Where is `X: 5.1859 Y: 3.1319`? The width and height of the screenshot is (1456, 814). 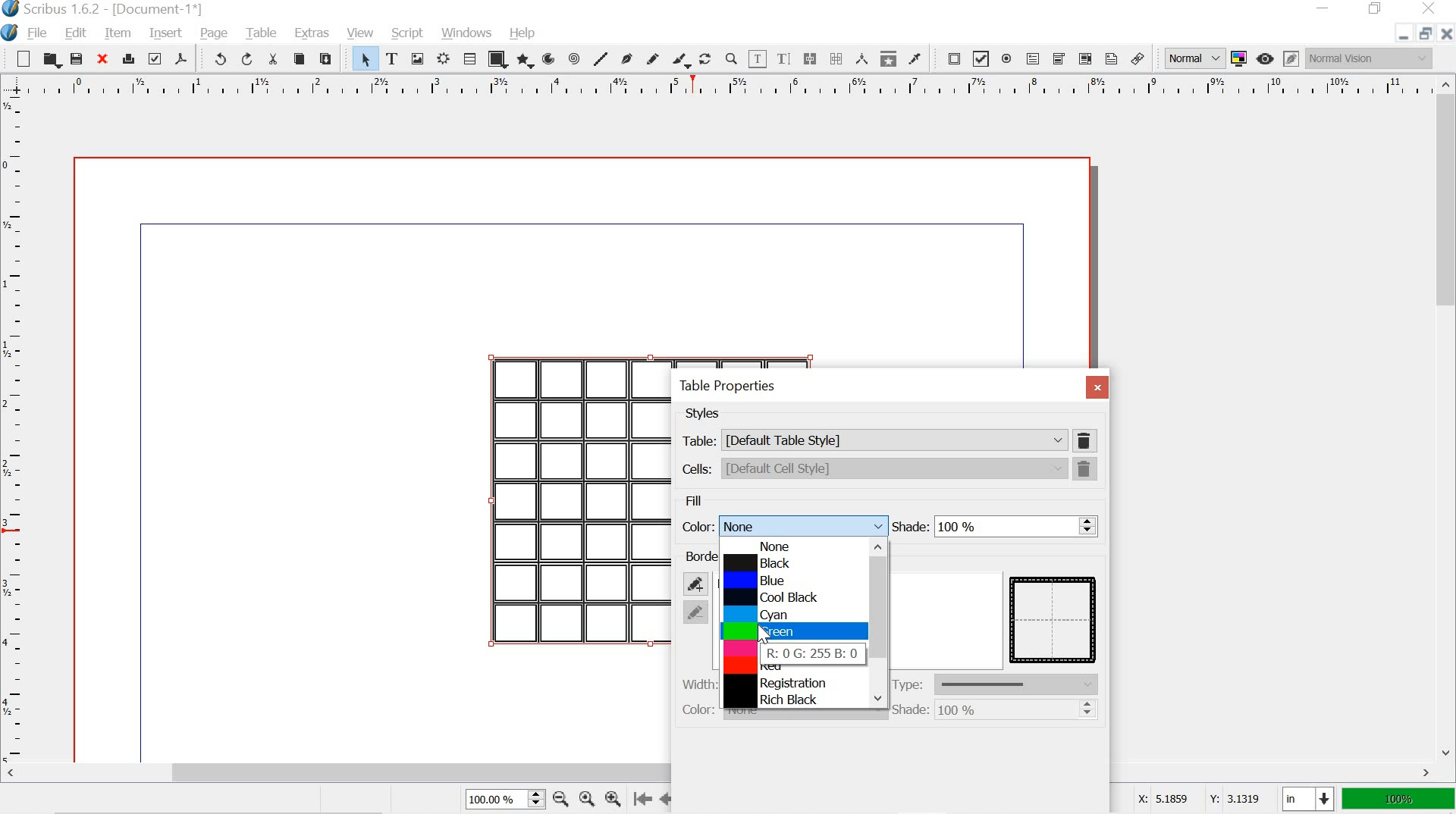 X: 5.1859 Y: 3.1319 is located at coordinates (1198, 800).